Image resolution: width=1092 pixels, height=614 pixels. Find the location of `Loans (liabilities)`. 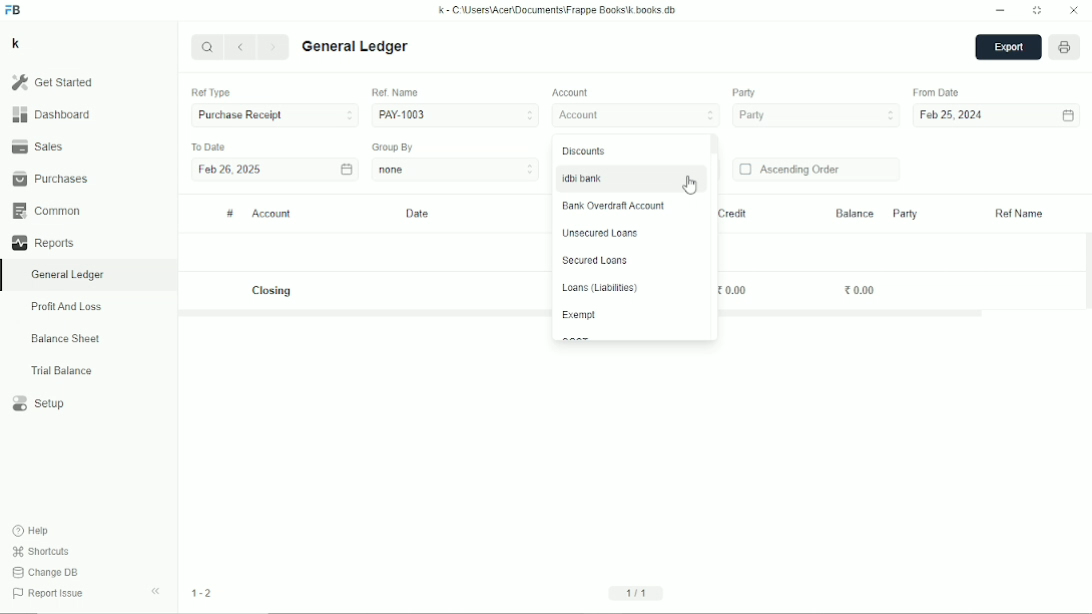

Loans (liabilities) is located at coordinates (599, 288).